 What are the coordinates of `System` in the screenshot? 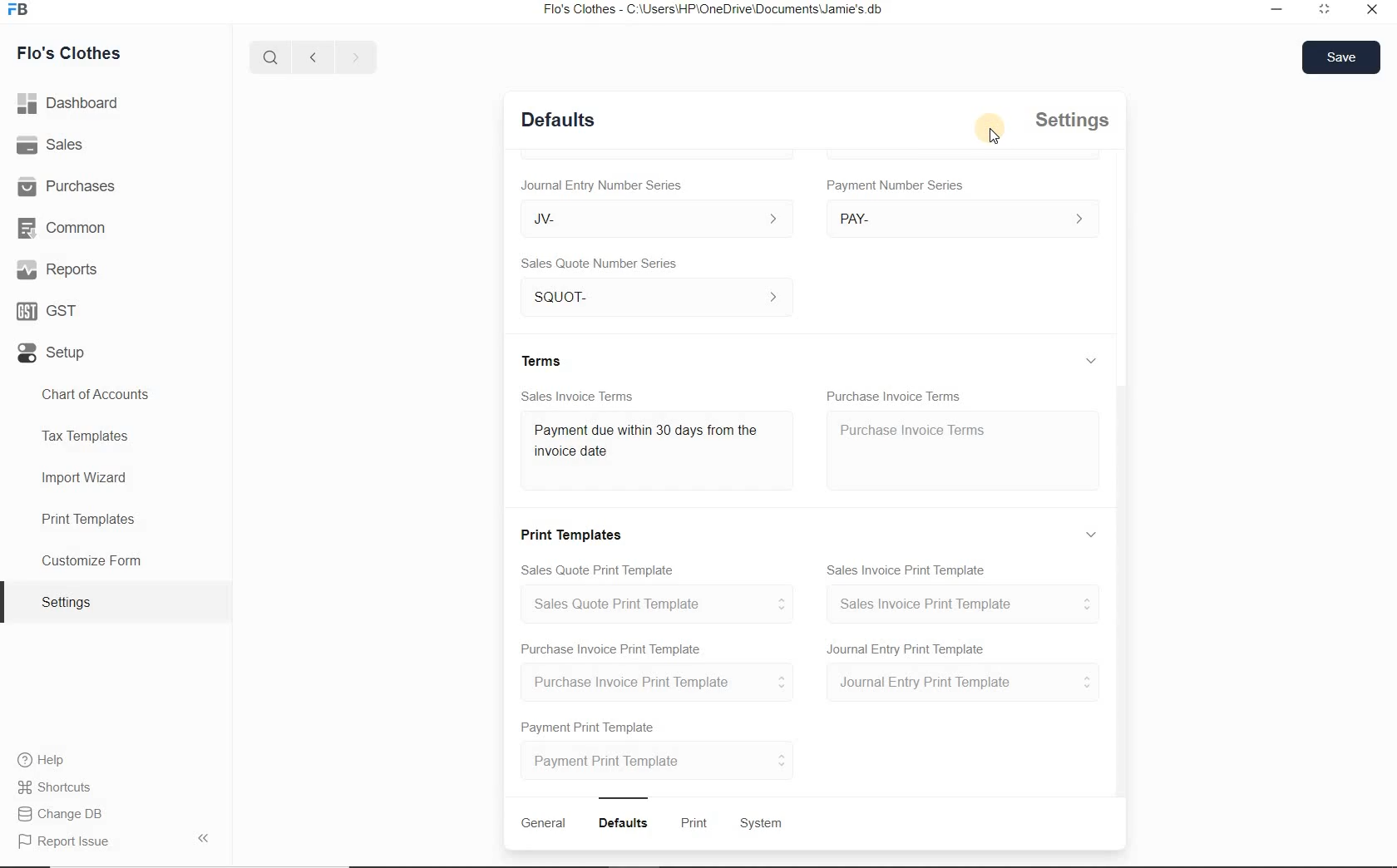 It's located at (763, 824).